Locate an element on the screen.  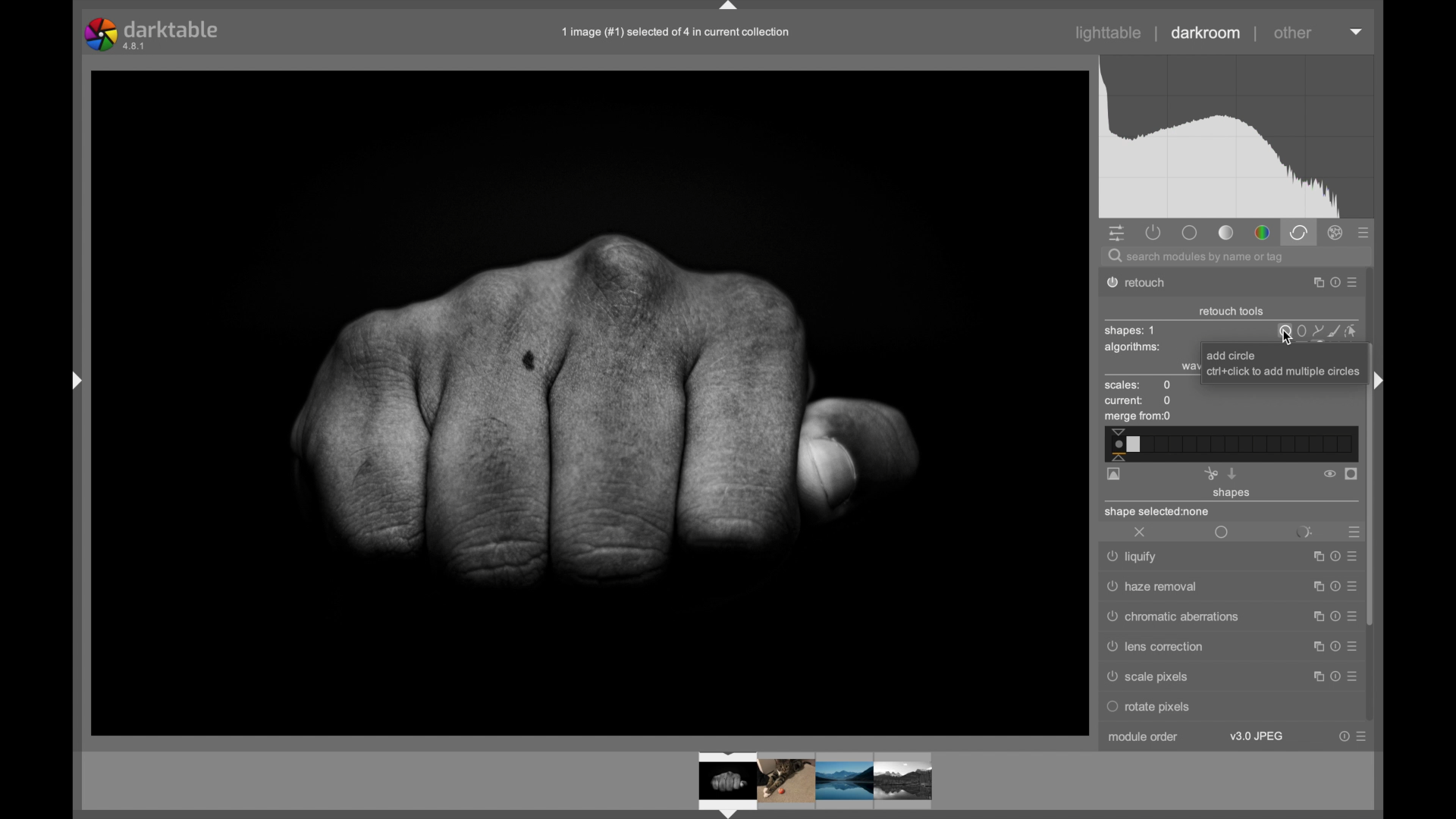
search modules by name or tag is located at coordinates (1197, 258).